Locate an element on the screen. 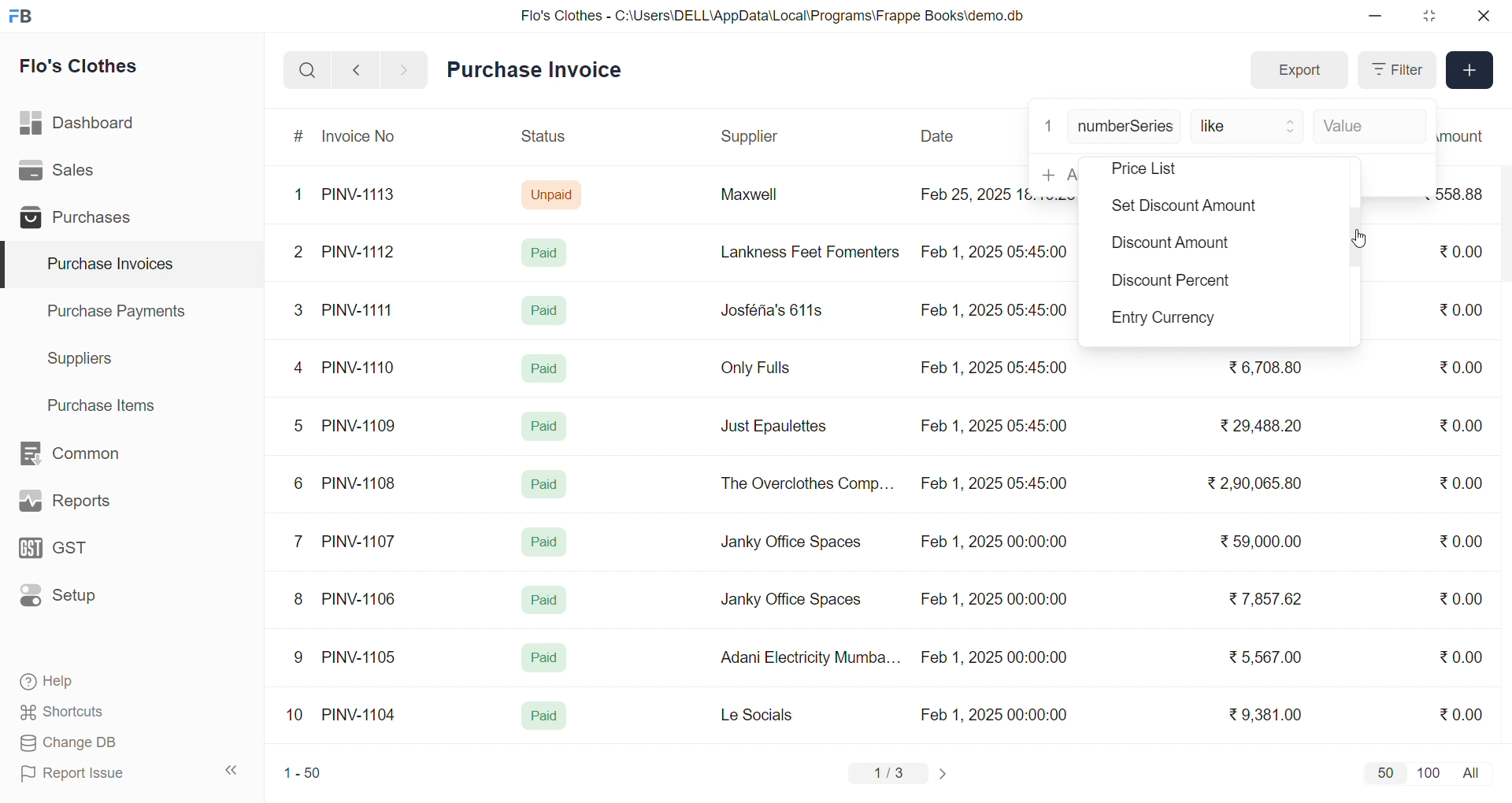 The height and width of the screenshot is (803, 1512). selected is located at coordinates (9, 265).